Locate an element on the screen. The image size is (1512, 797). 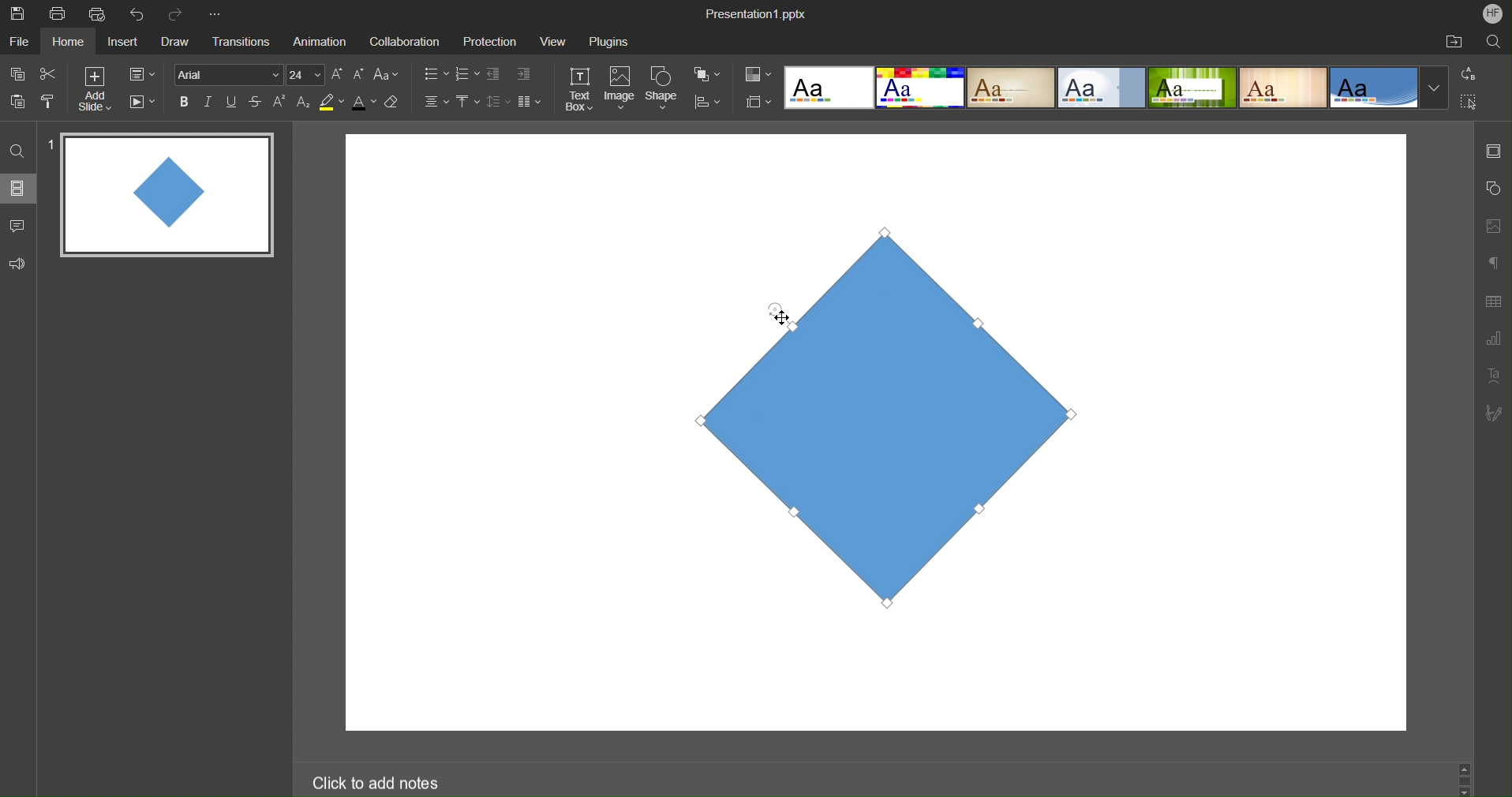
Cut is located at coordinates (46, 73).